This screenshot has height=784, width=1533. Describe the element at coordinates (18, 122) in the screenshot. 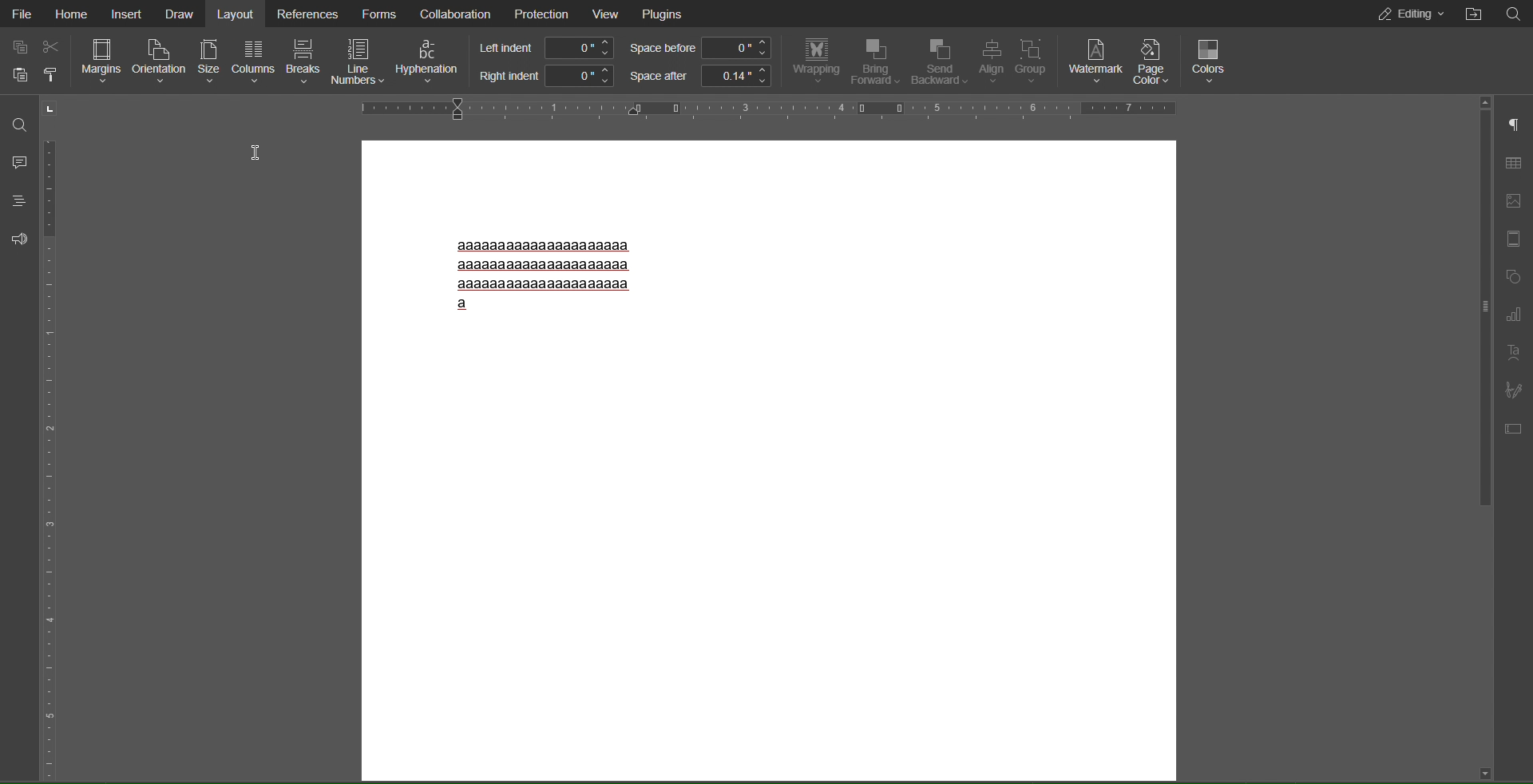

I see `Search` at that location.